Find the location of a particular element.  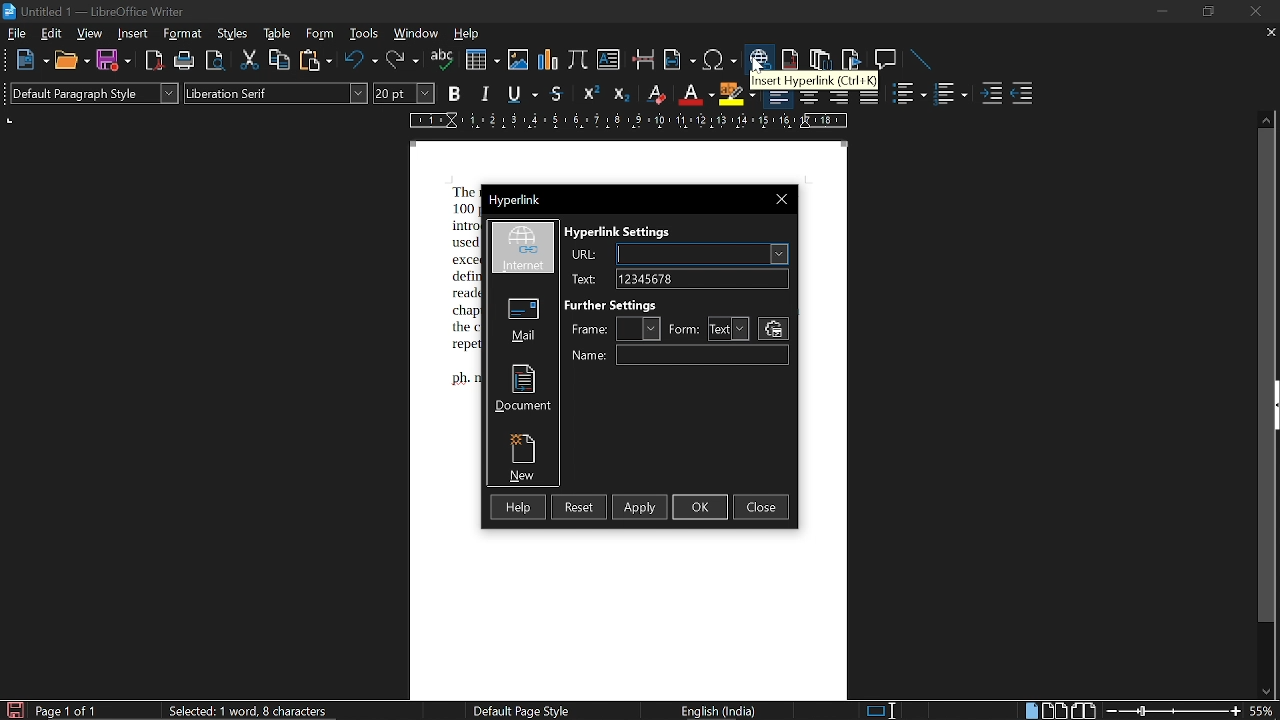

scale is located at coordinates (624, 123).